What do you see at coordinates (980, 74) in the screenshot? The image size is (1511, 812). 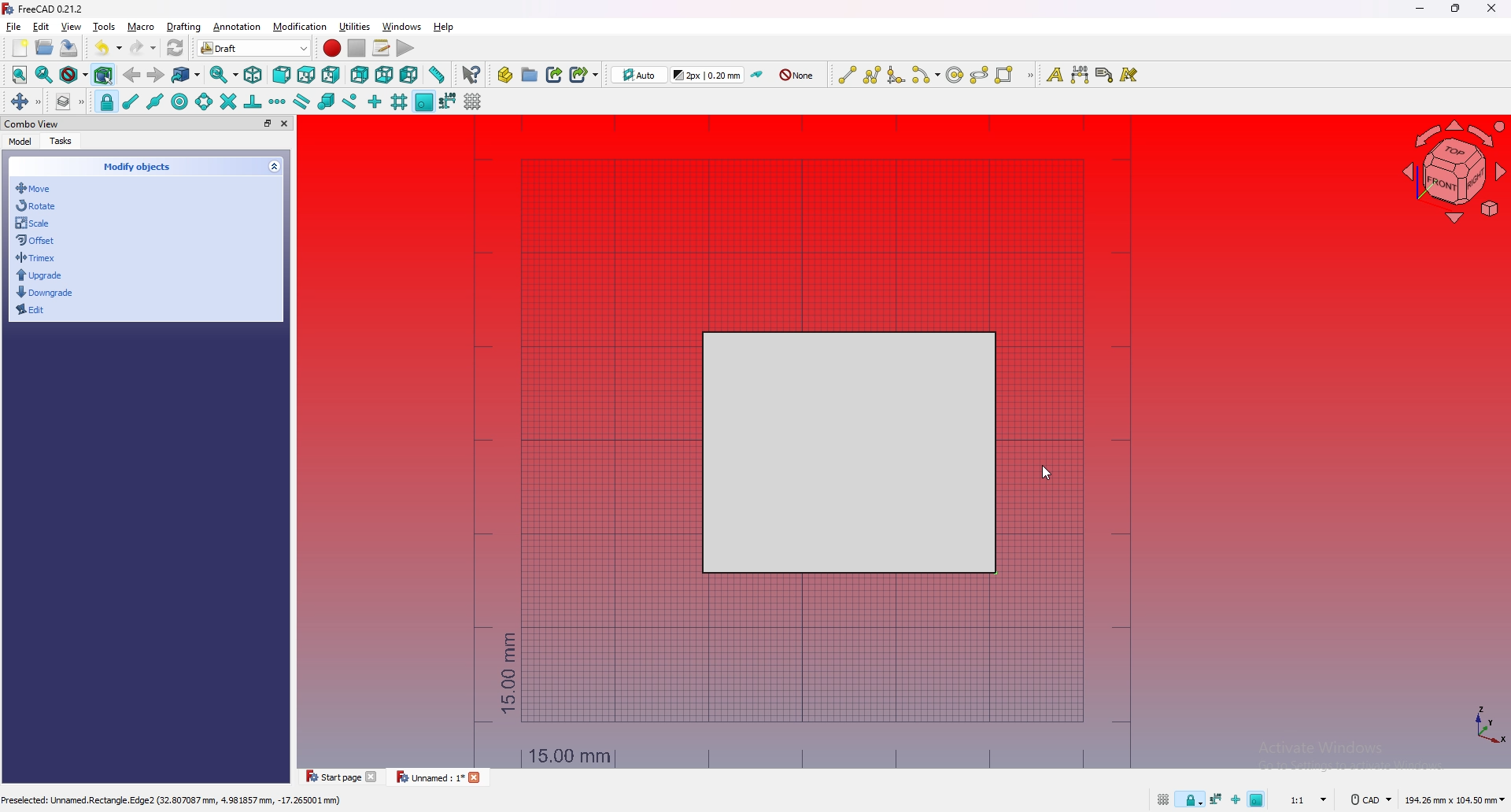 I see `ellipse` at bounding box center [980, 74].